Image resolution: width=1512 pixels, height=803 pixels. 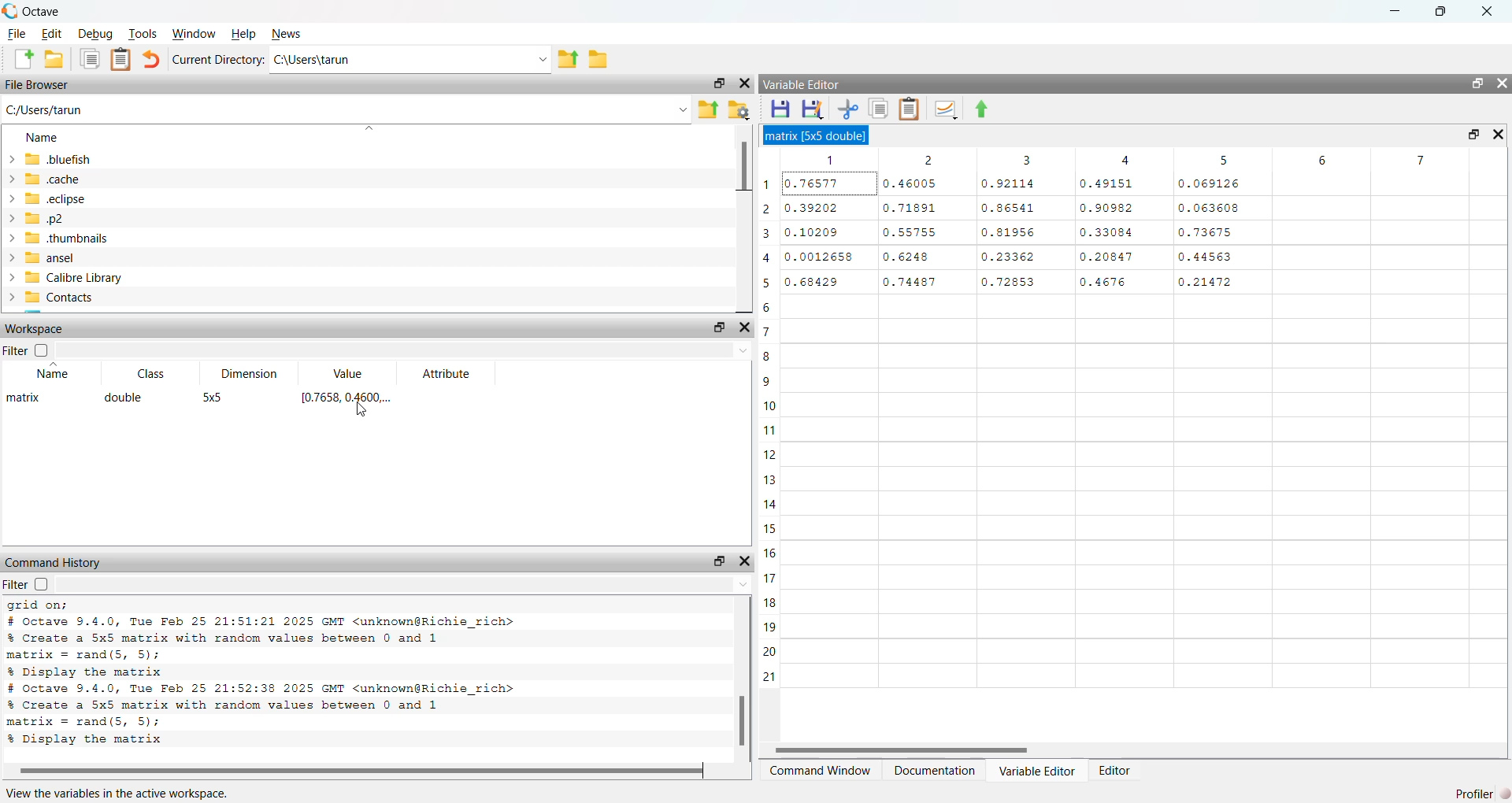 What do you see at coordinates (96, 35) in the screenshot?
I see `Debug` at bounding box center [96, 35].